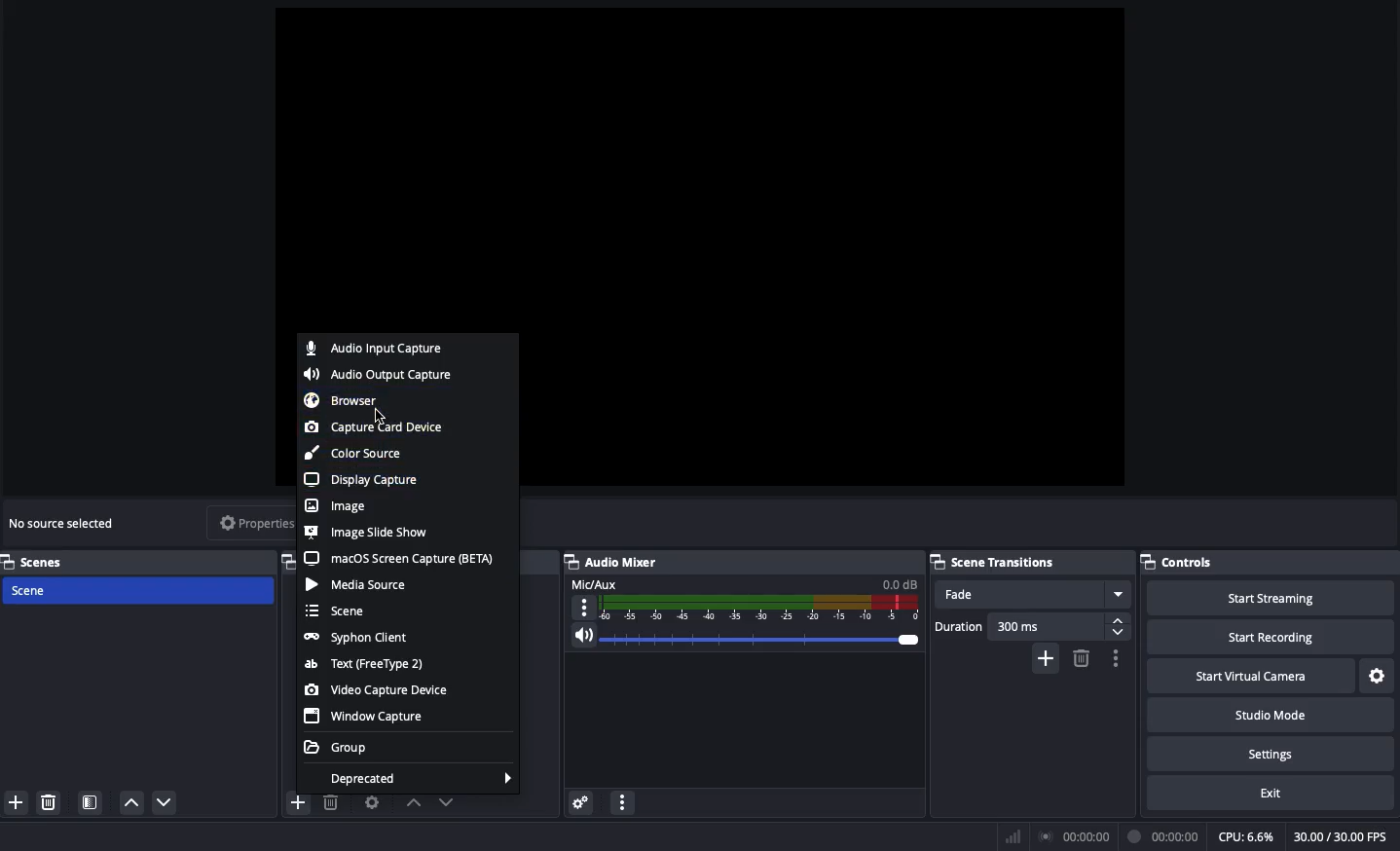  I want to click on Image, so click(339, 506).